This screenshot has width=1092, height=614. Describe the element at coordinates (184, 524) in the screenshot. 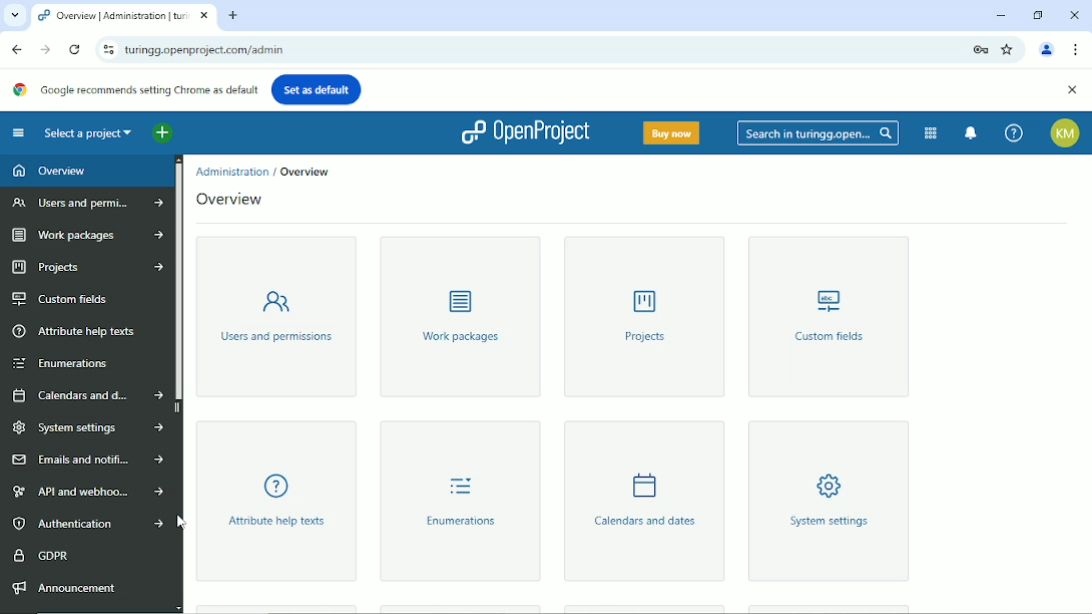

I see `Cursor` at that location.